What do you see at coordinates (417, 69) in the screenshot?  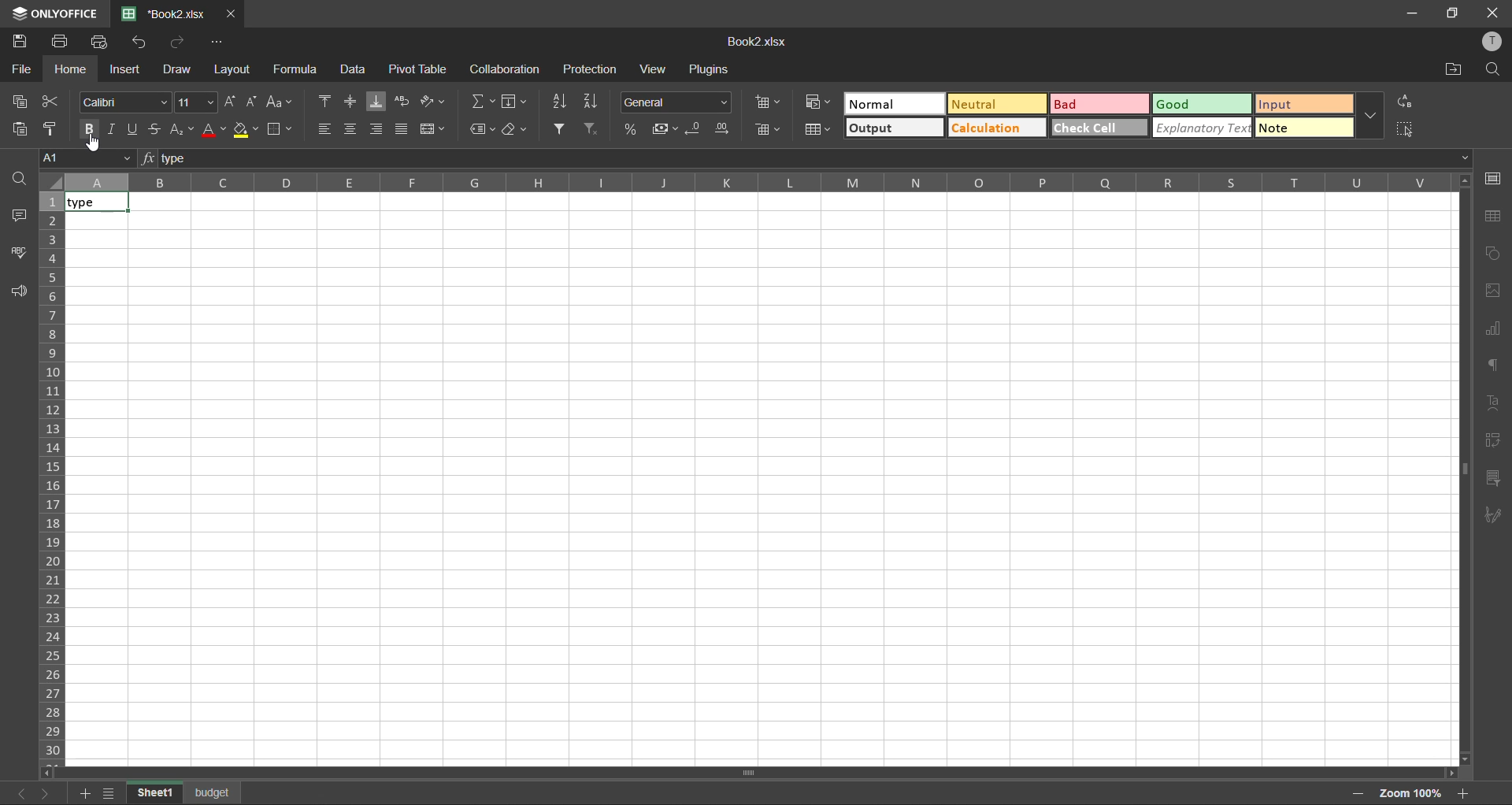 I see `pivot table` at bounding box center [417, 69].